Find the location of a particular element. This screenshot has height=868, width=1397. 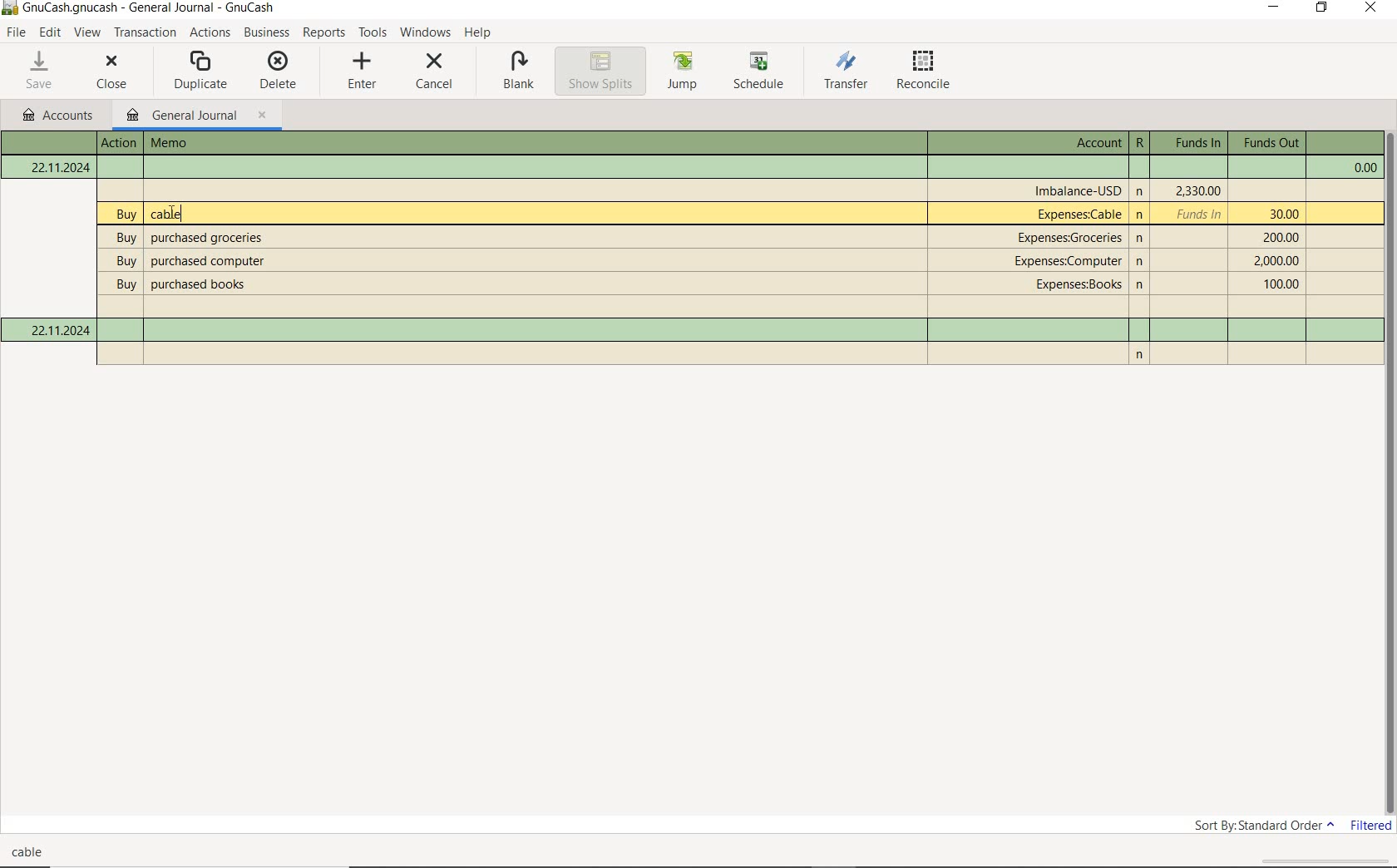

transfer is located at coordinates (847, 72).